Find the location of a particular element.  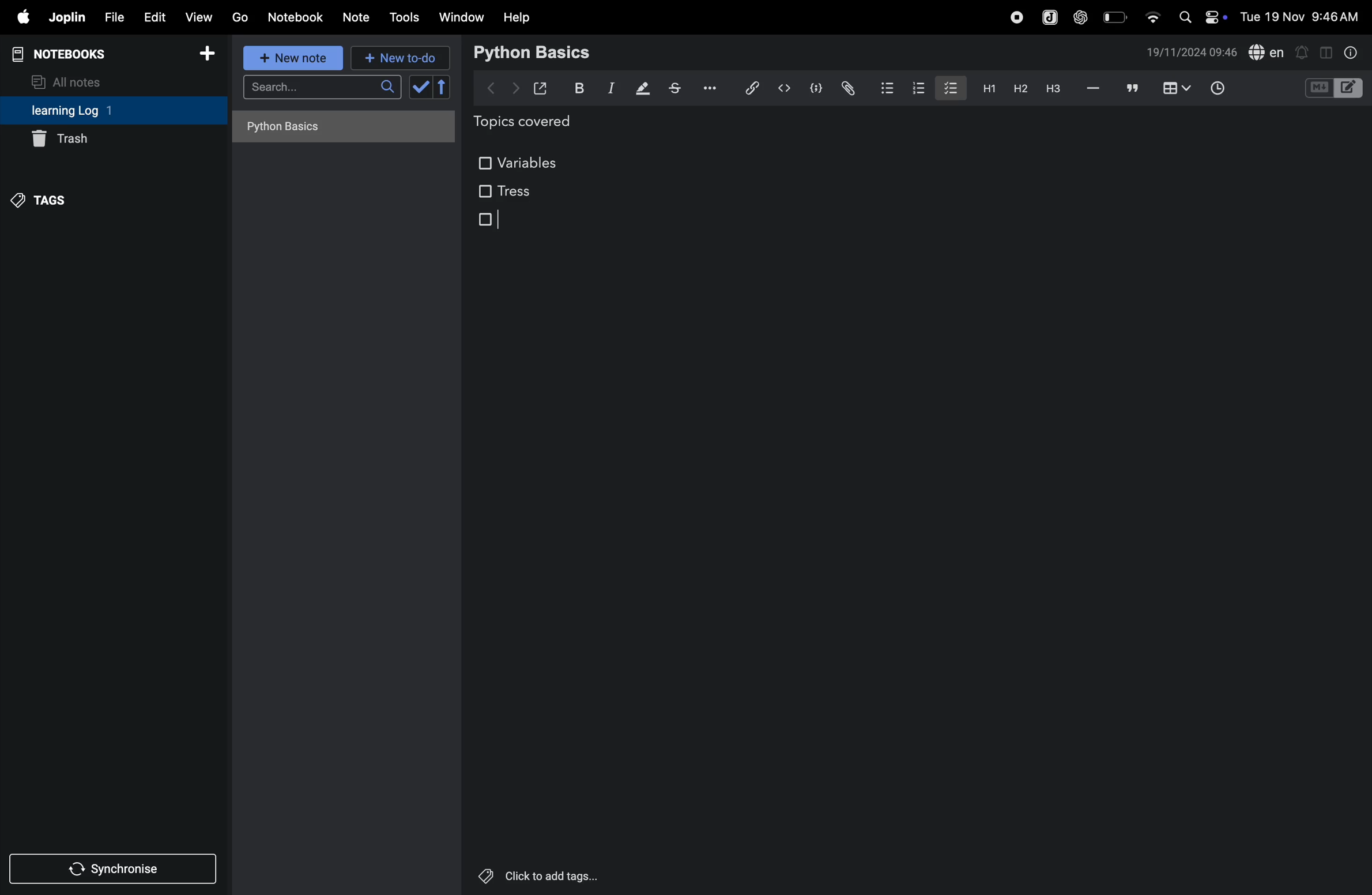

displaying is located at coordinates (643, 89).